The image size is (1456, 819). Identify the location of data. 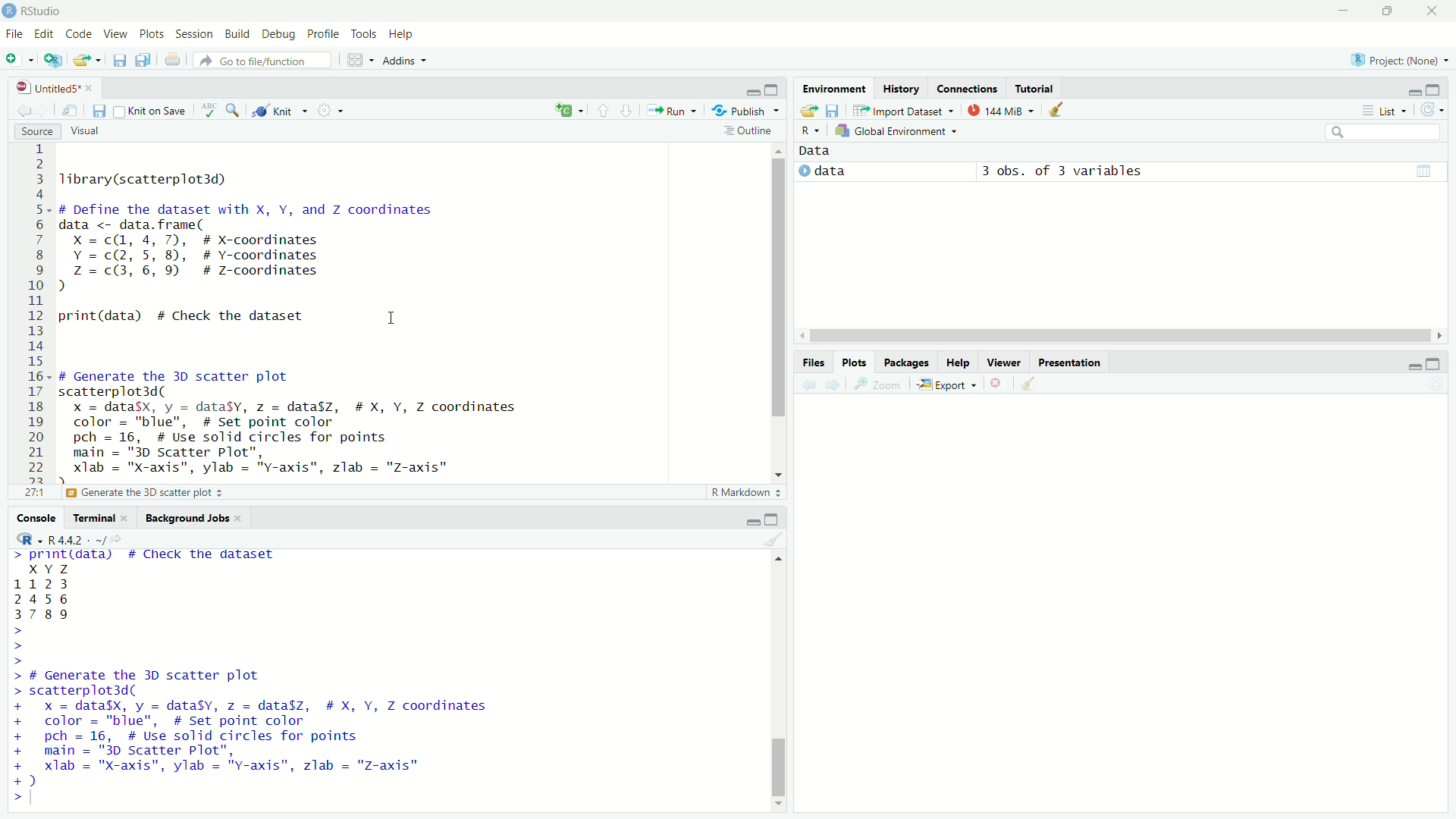
(836, 173).